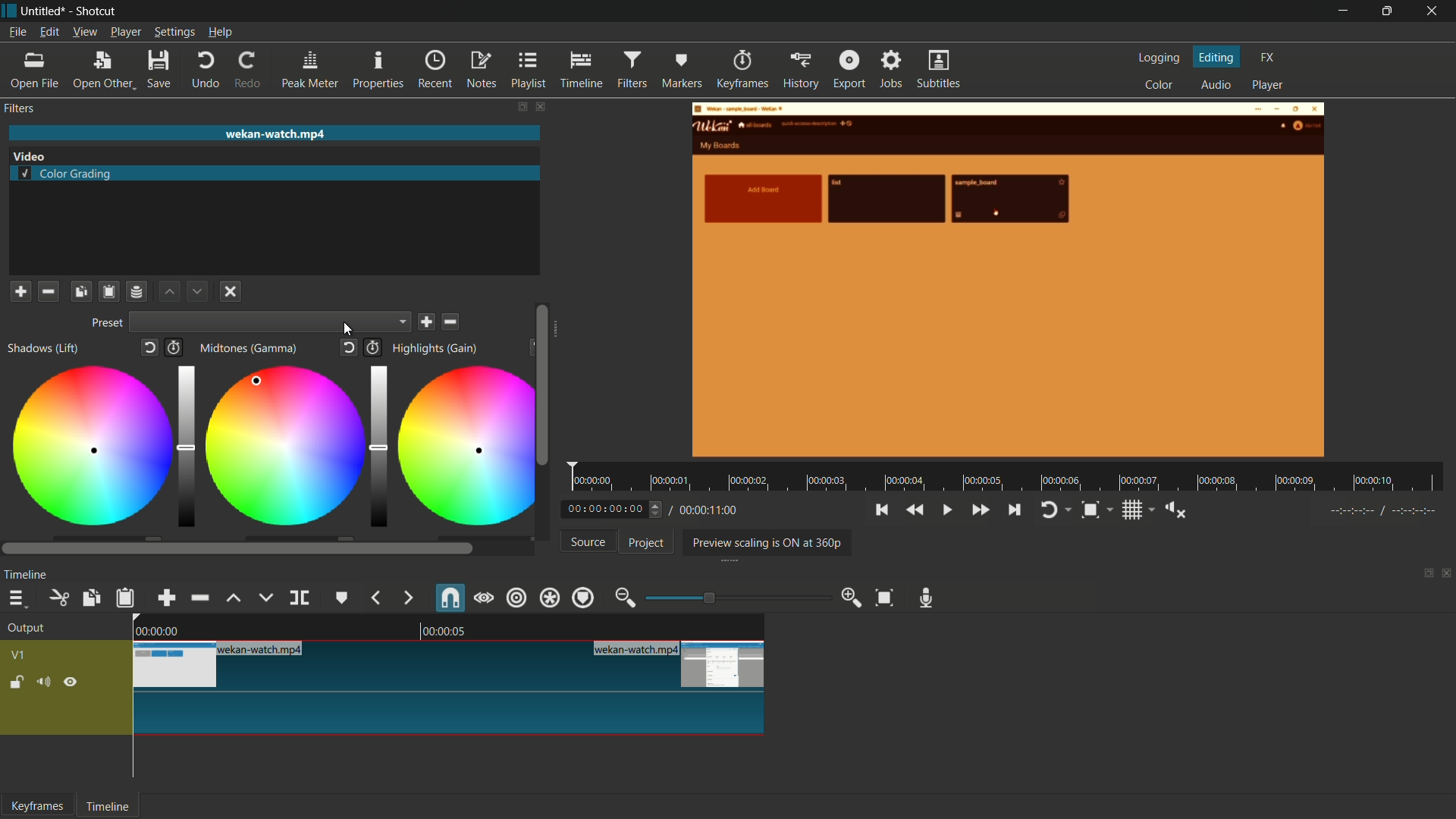 Image resolution: width=1456 pixels, height=819 pixels. Describe the element at coordinates (198, 290) in the screenshot. I see `move filter down` at that location.